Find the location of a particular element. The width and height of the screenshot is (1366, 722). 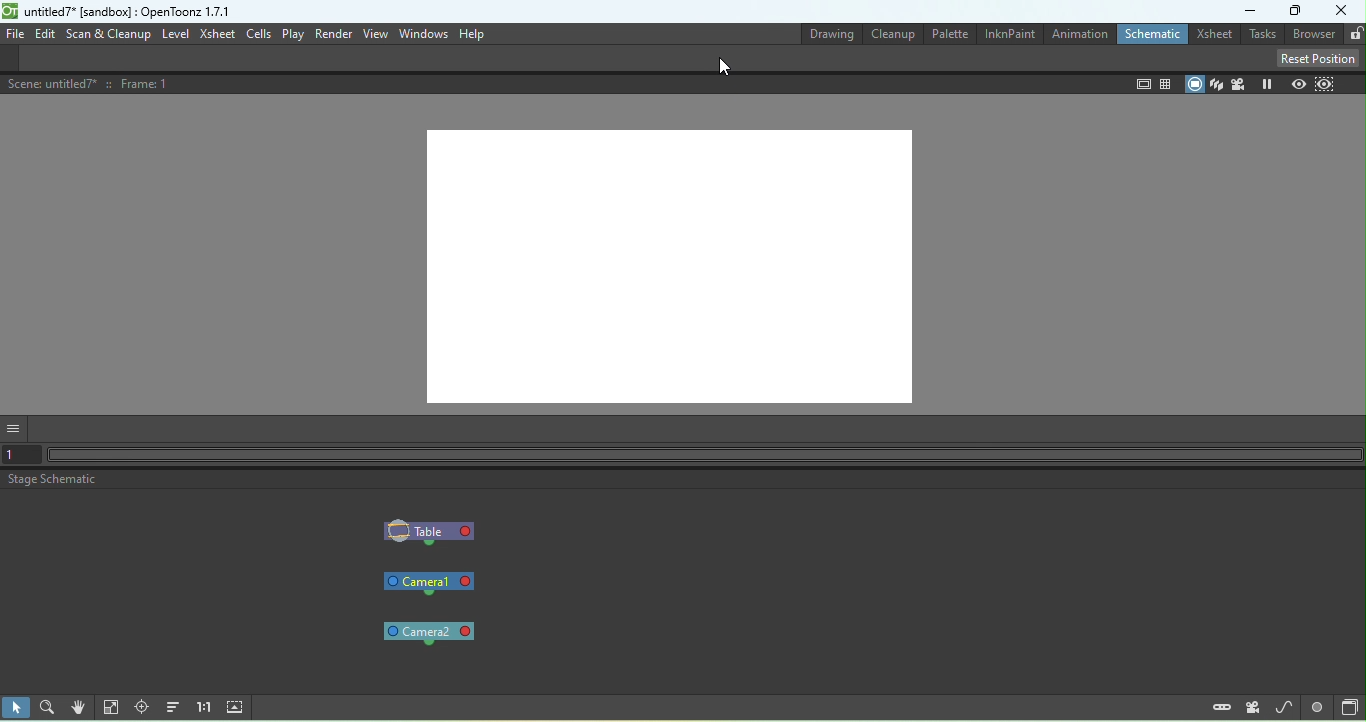

Switch output port display mode is located at coordinates (1316, 707).